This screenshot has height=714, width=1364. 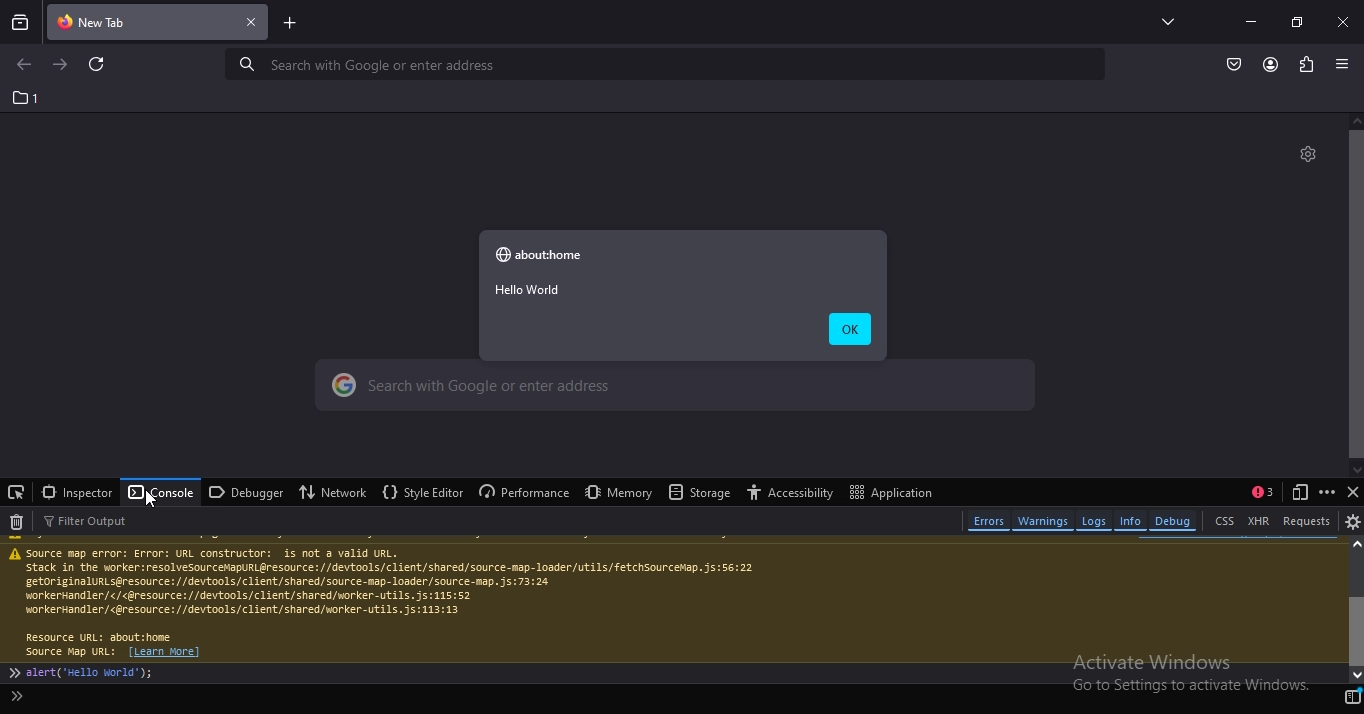 What do you see at coordinates (101, 66) in the screenshot?
I see `reload this page` at bounding box center [101, 66].